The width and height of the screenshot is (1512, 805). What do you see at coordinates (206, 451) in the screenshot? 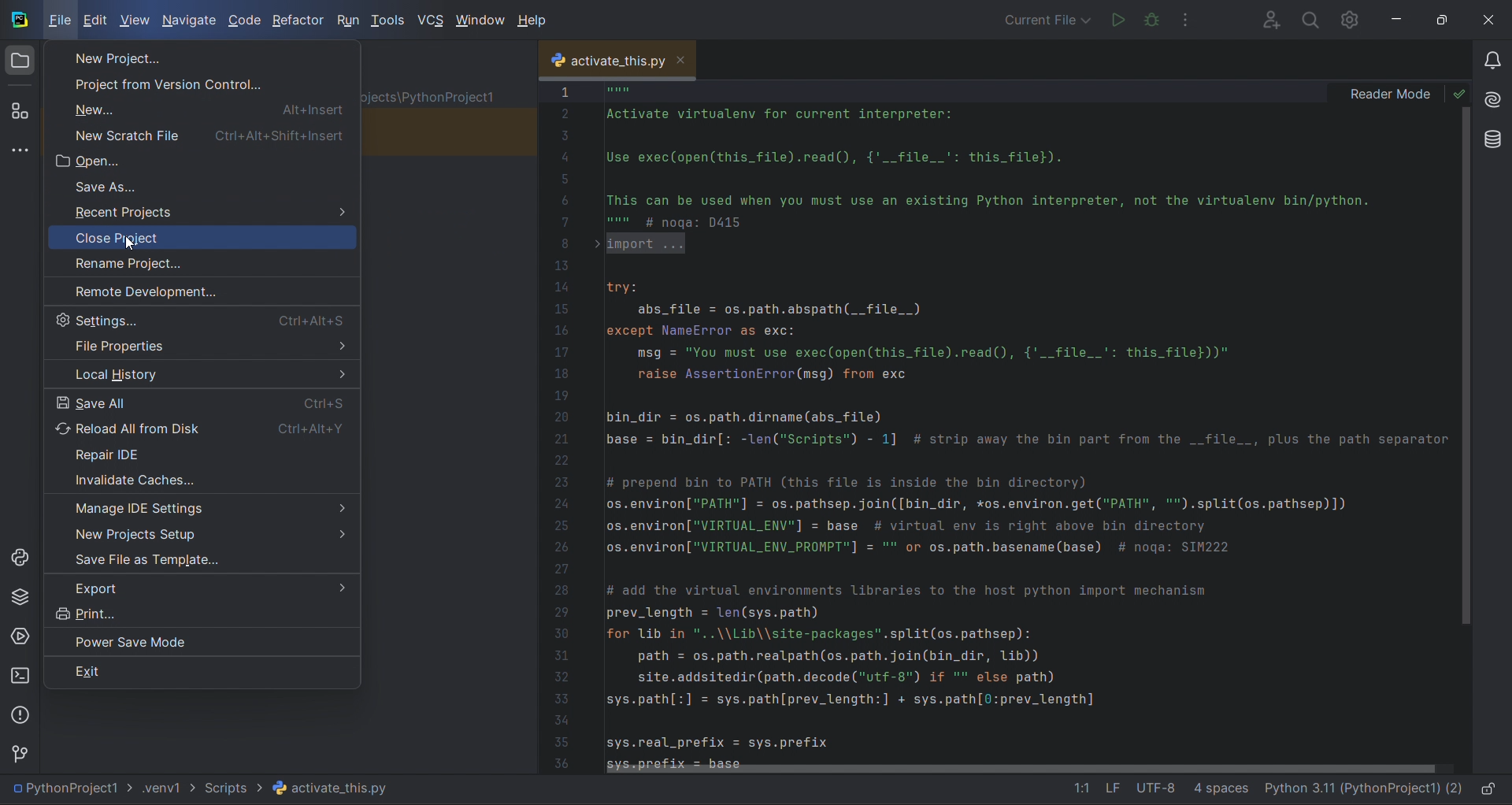
I see `repair ide` at bounding box center [206, 451].